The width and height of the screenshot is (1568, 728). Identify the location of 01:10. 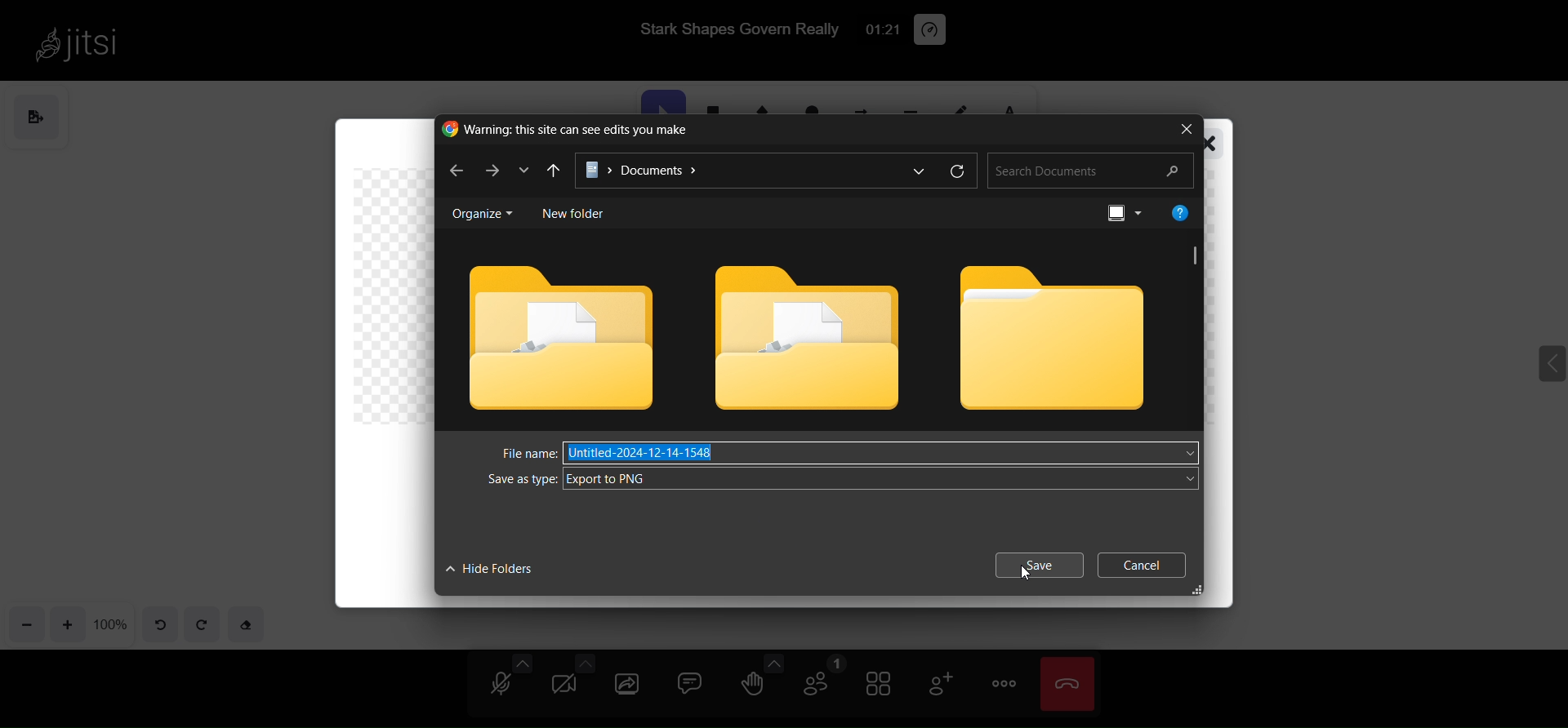
(880, 29).